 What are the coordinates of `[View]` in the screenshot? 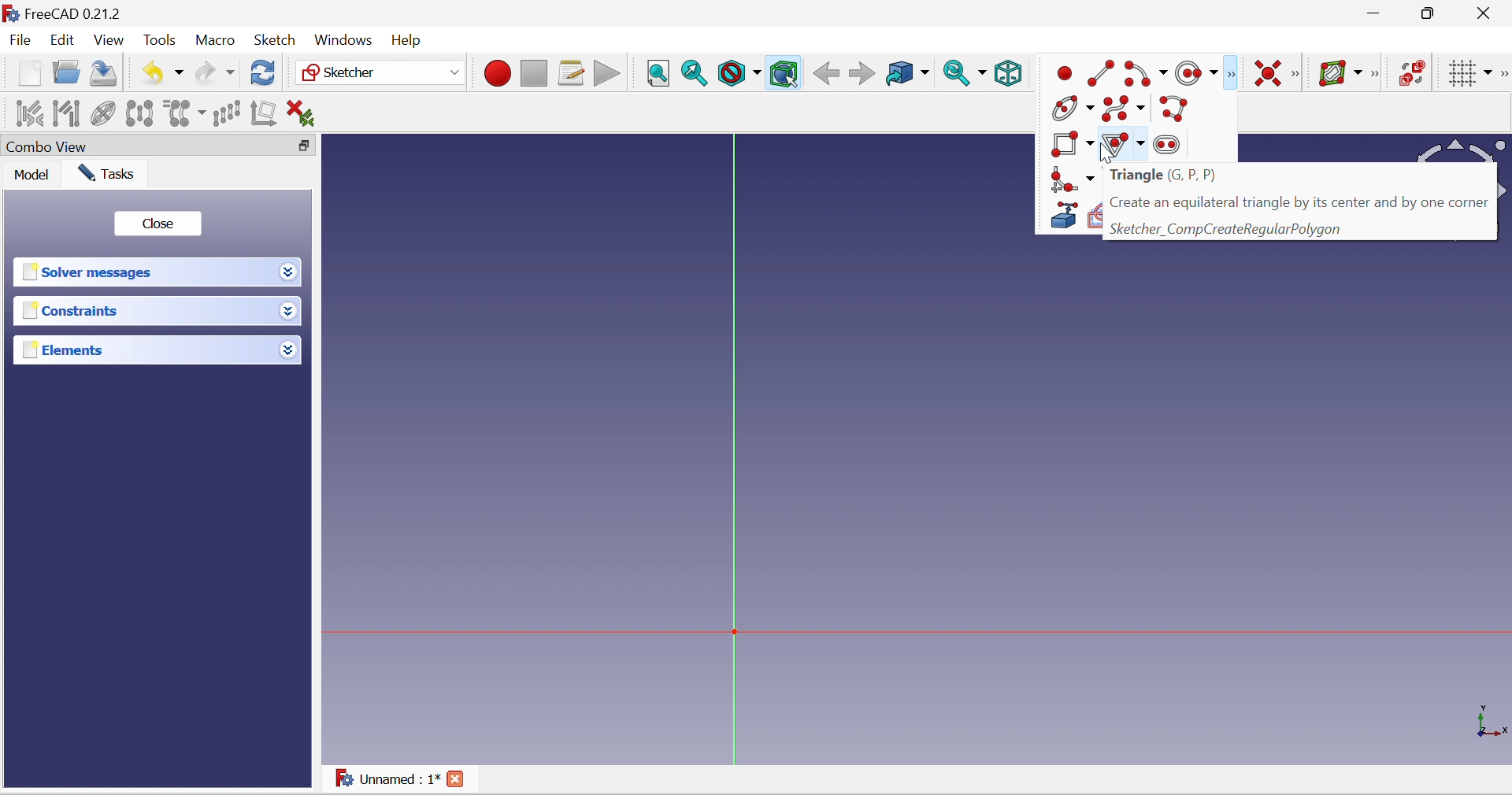 It's located at (1044, 72).